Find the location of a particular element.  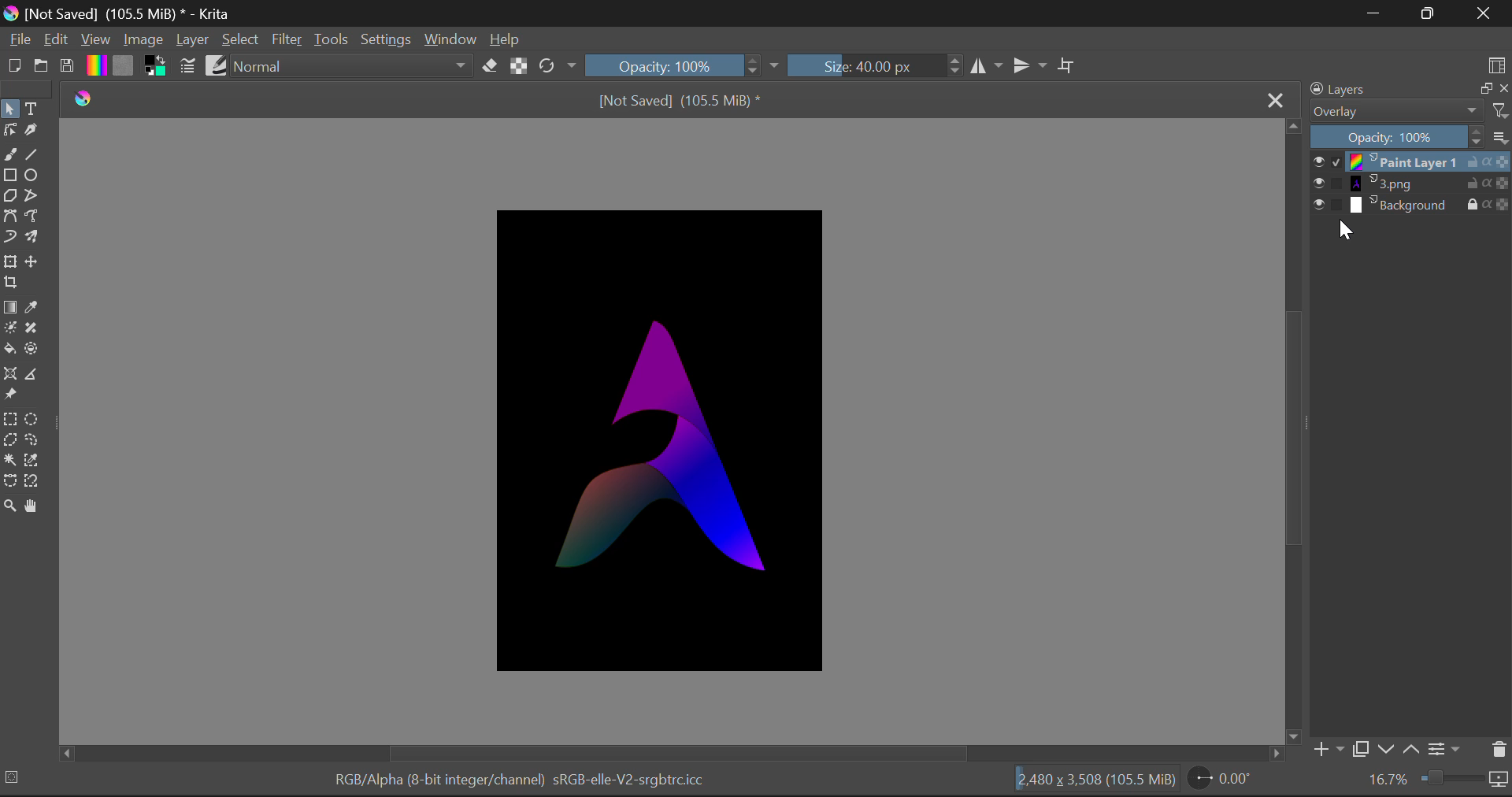

logo is located at coordinates (11, 15).